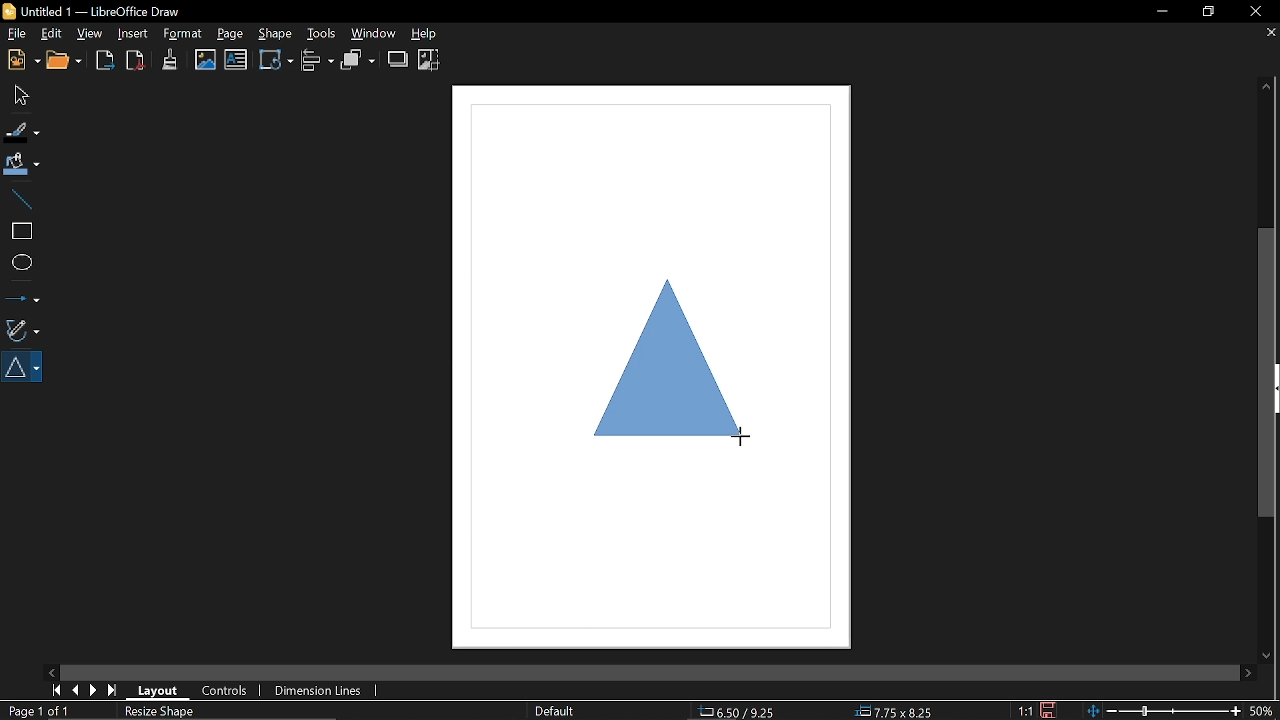 Image resolution: width=1280 pixels, height=720 pixels. Describe the element at coordinates (20, 263) in the screenshot. I see `Ellipse` at that location.